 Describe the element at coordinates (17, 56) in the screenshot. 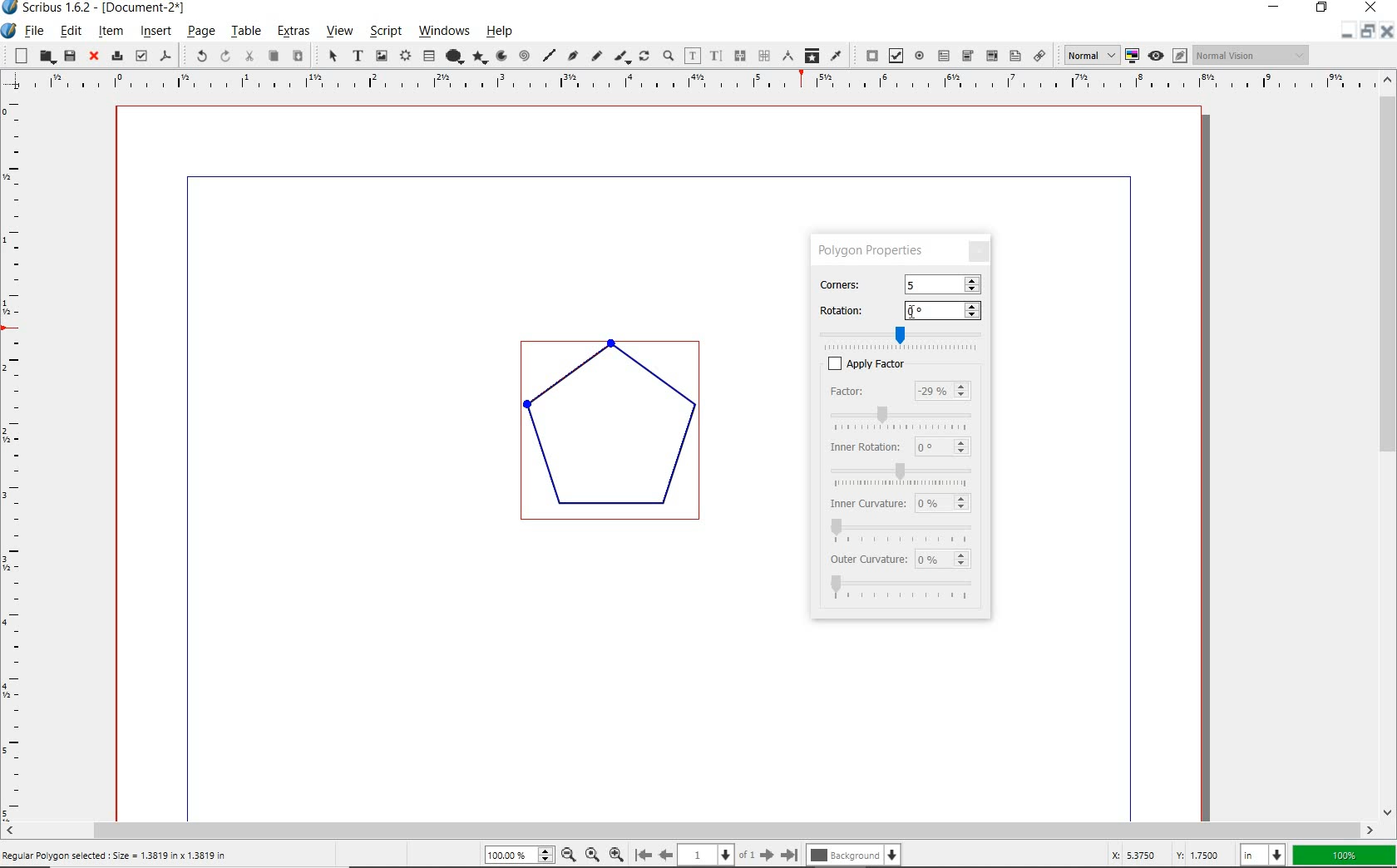

I see `new` at that location.